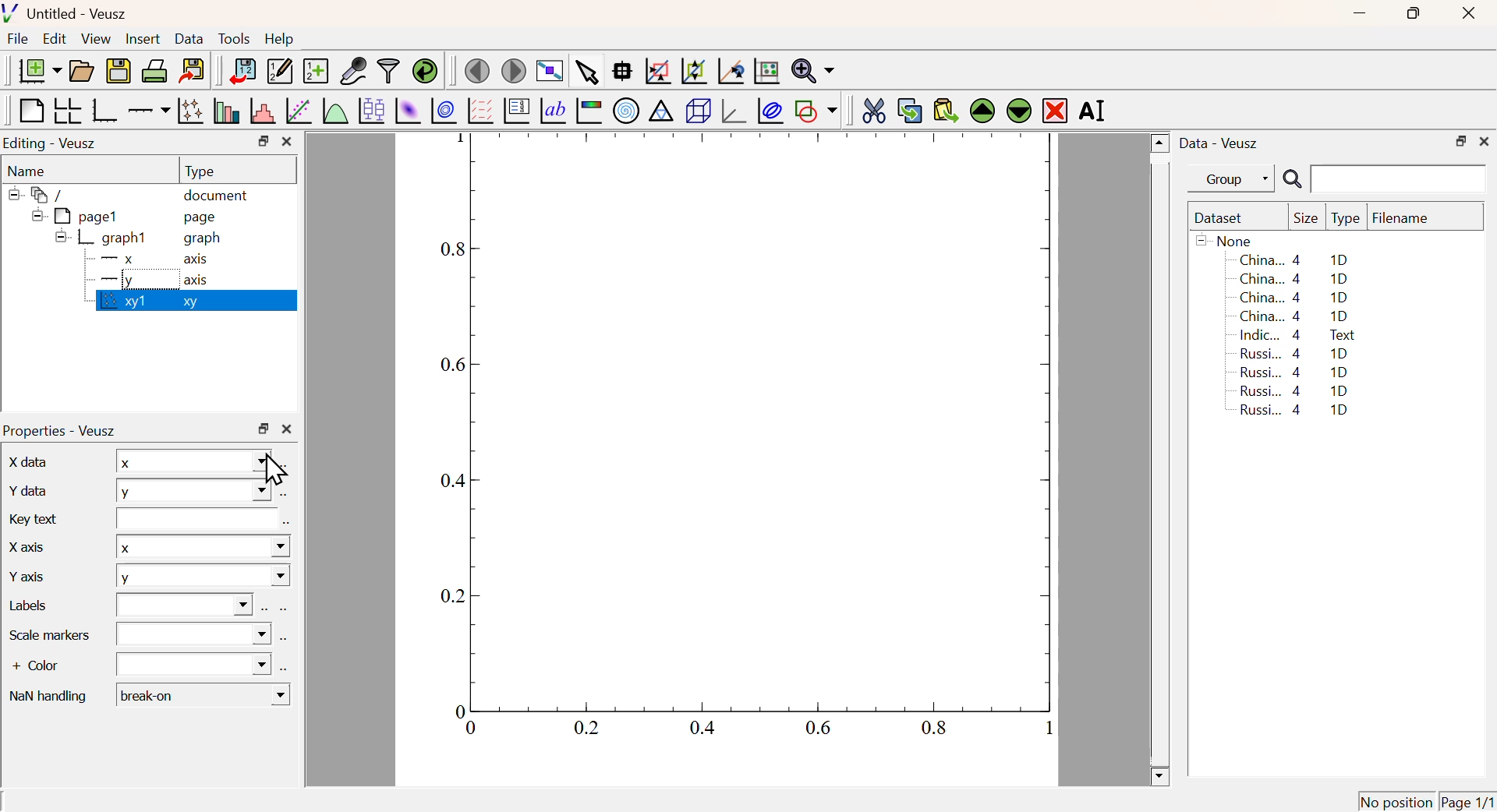  Describe the element at coordinates (737, 441) in the screenshot. I see `Graph` at that location.